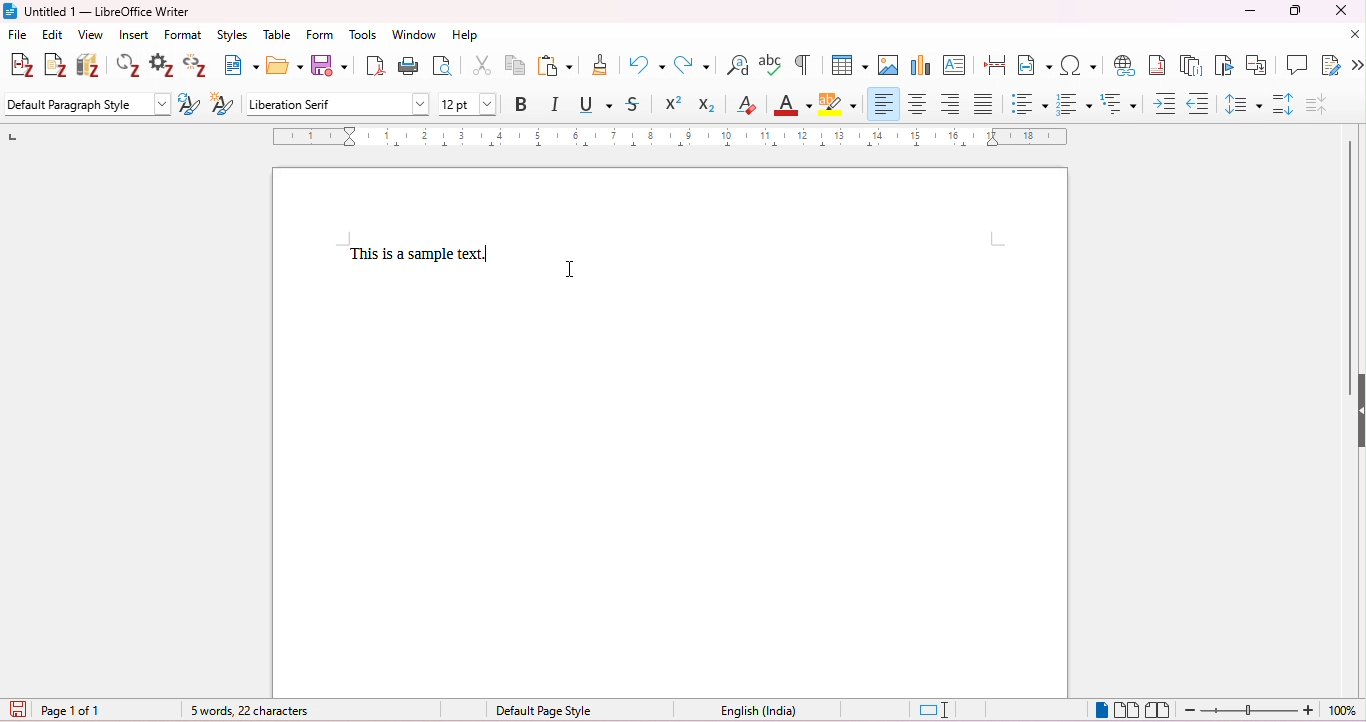 The width and height of the screenshot is (1366, 722). What do you see at coordinates (101, 12) in the screenshot?
I see `title` at bounding box center [101, 12].